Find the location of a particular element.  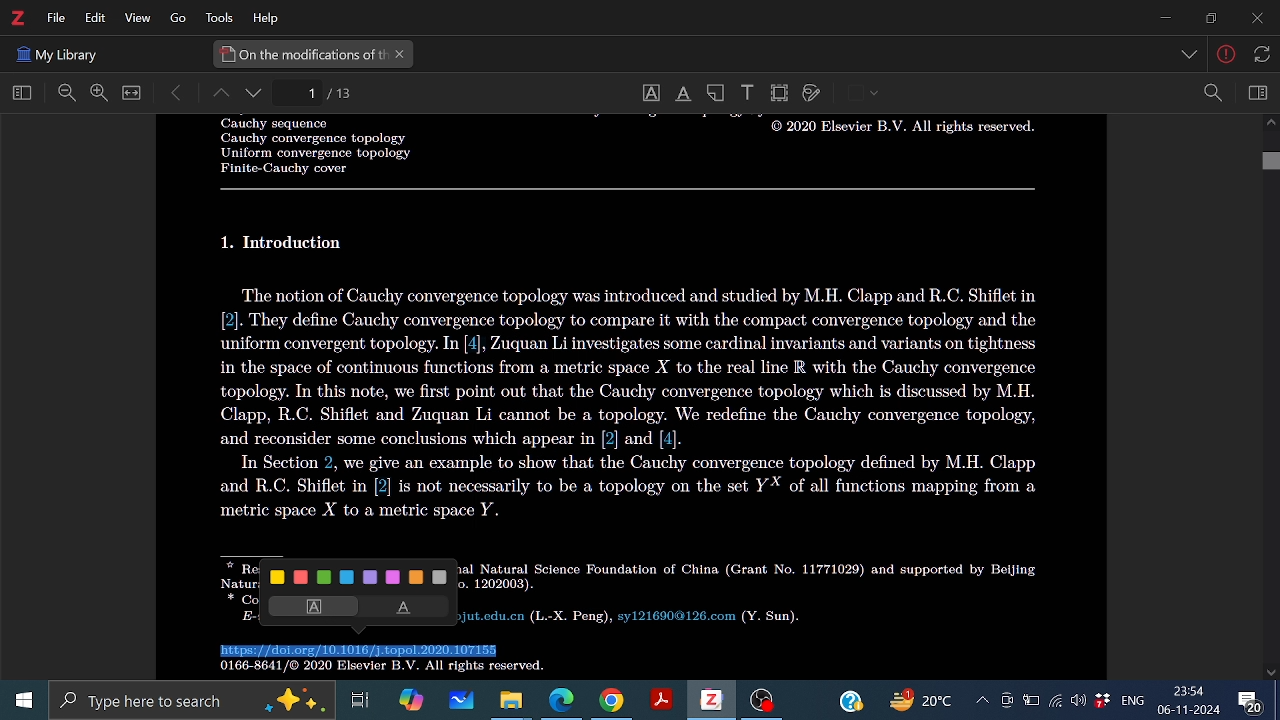

Tools is located at coordinates (216, 18).